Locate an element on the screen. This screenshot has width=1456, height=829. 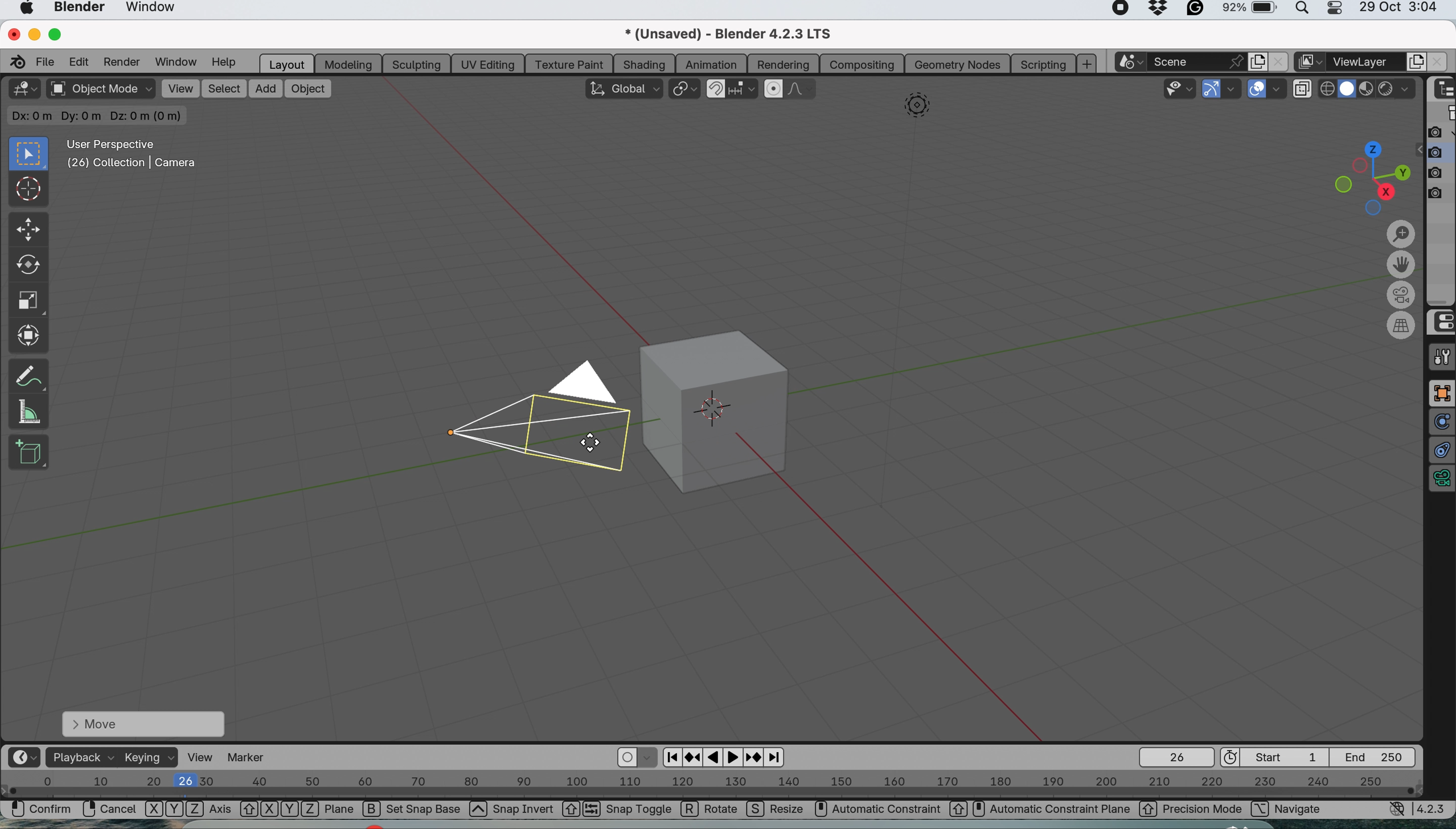
toggle xray is located at coordinates (1305, 91).